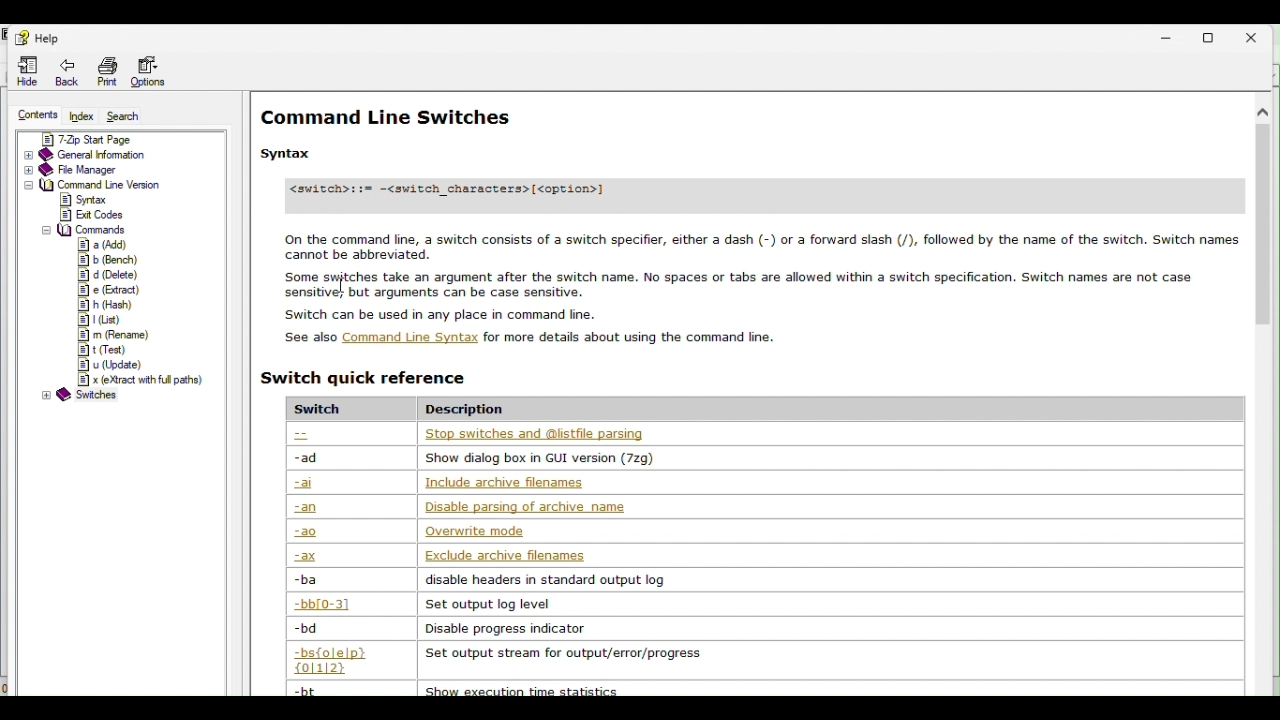 The image size is (1280, 720). What do you see at coordinates (759, 292) in the screenshot?
I see `On the command line, a switch consists of a switch specifier, either a dash (-) or a forward slash (/), followed by the name of the switch. Switch names
cannot be abbreviated.

Soma svfches take an argument afar the Switch name. No spaces or tabs are akowed win 3 switch specication. Switch names ae not case
sensitive; but arguments can be case sensitive.

Switch can be used in any place in command fine.

See also Command Line Syntax for more details about using the command fine.` at bounding box center [759, 292].